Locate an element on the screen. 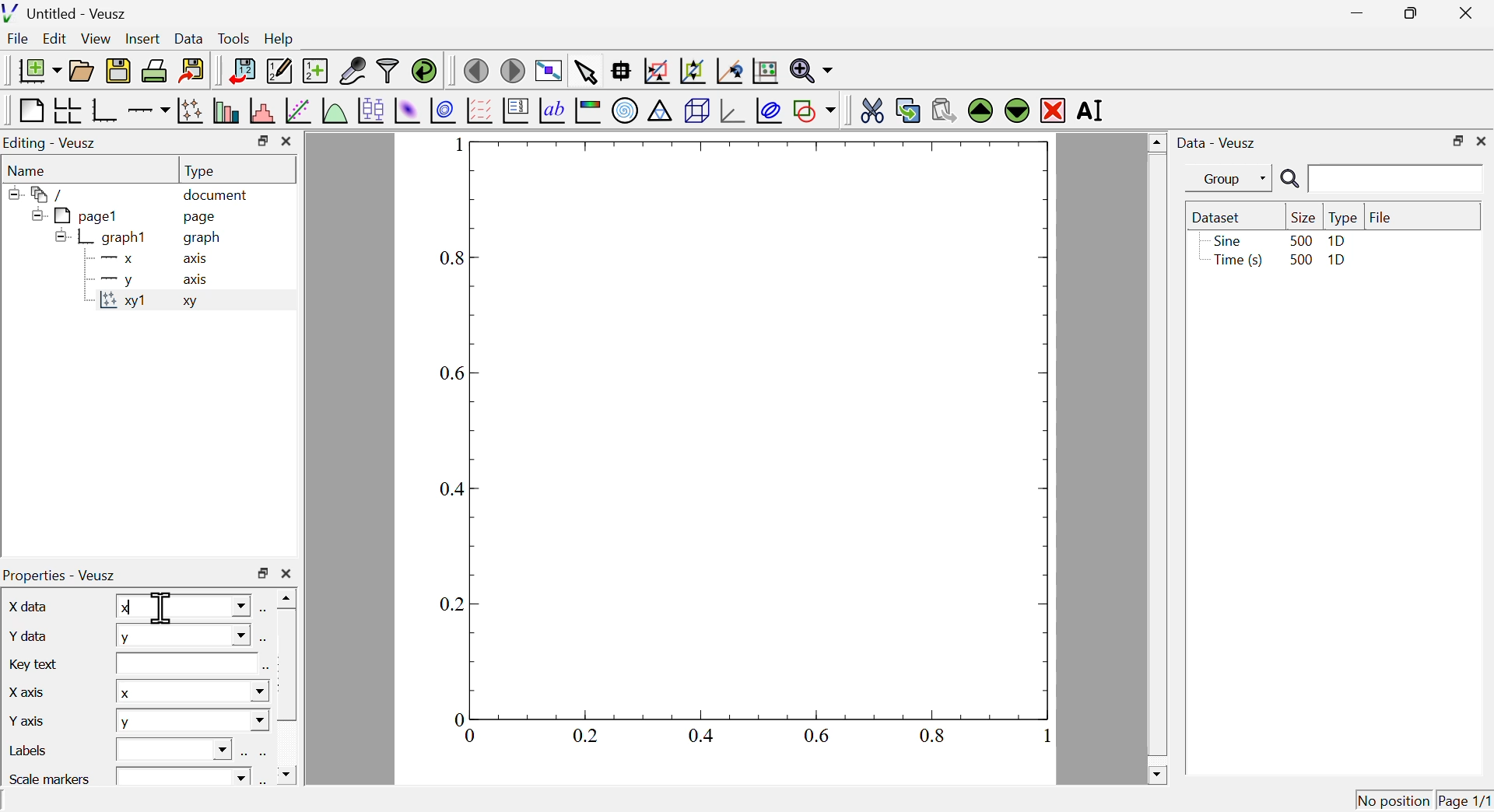 The height and width of the screenshot is (812, 1494). capture remote data is located at coordinates (352, 71).